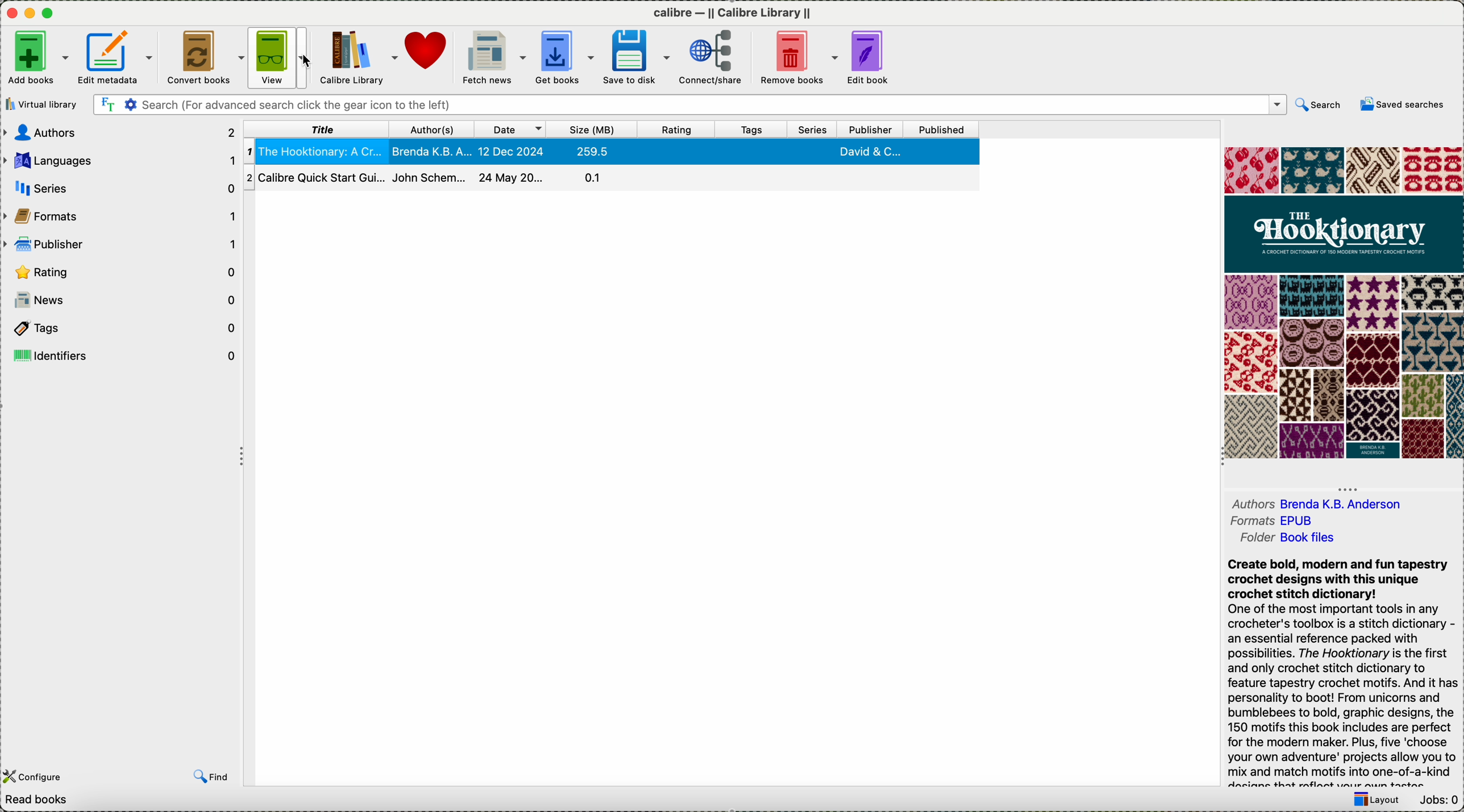 This screenshot has height=812, width=1464. What do you see at coordinates (122, 215) in the screenshot?
I see `formats` at bounding box center [122, 215].